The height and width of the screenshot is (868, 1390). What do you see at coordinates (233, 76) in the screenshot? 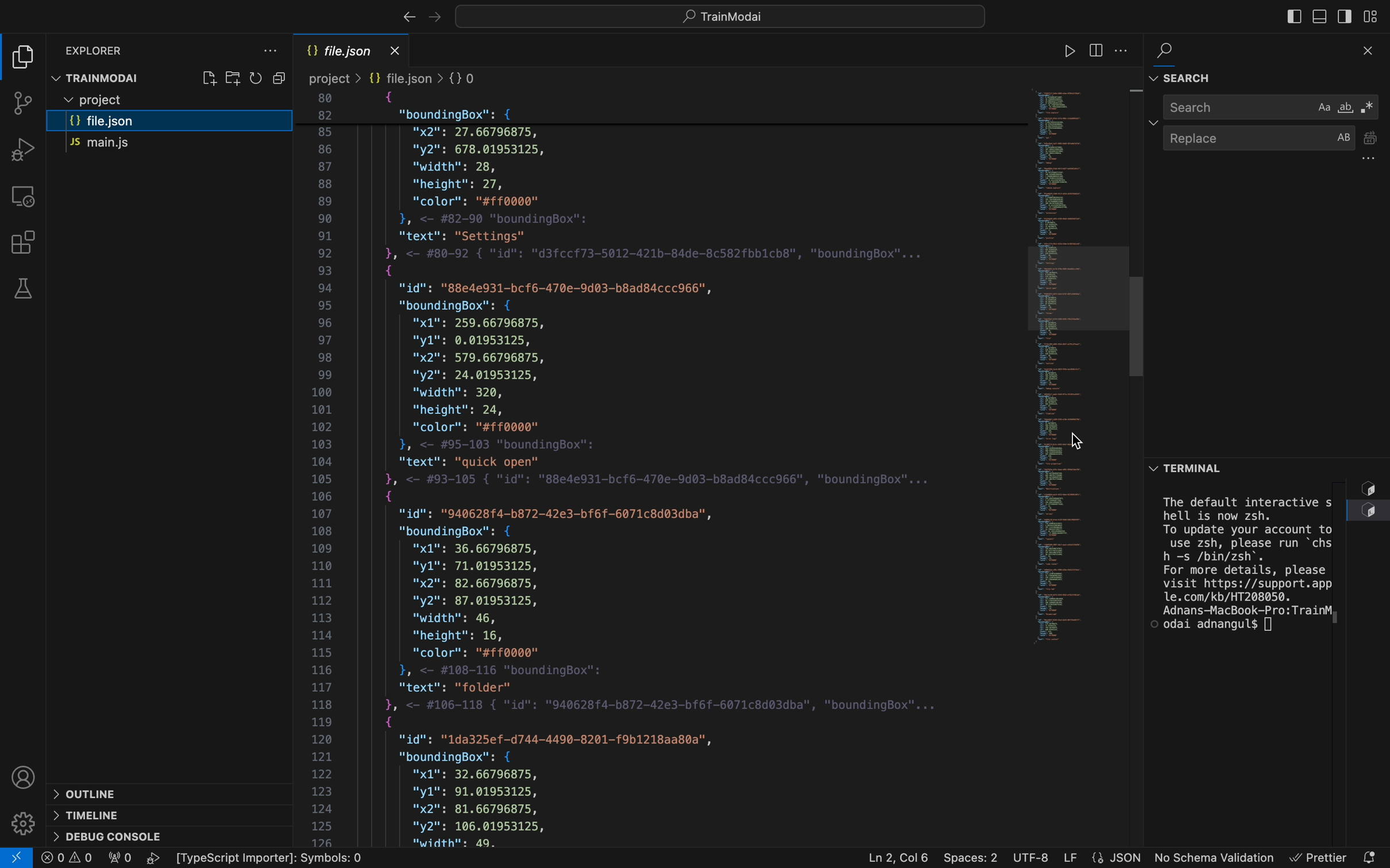
I see `create folder` at bounding box center [233, 76].